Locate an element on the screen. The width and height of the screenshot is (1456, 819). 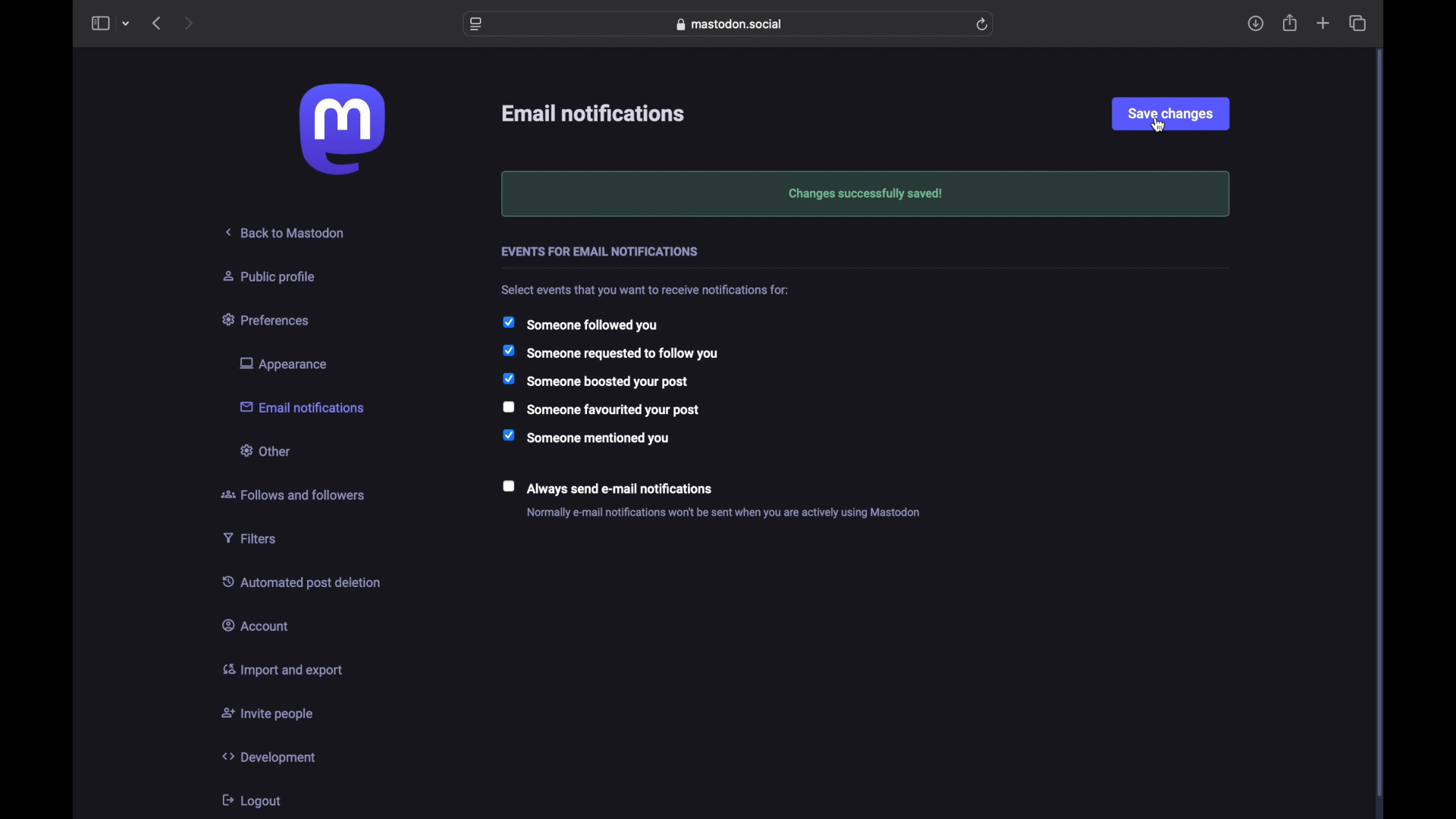
info is located at coordinates (729, 514).